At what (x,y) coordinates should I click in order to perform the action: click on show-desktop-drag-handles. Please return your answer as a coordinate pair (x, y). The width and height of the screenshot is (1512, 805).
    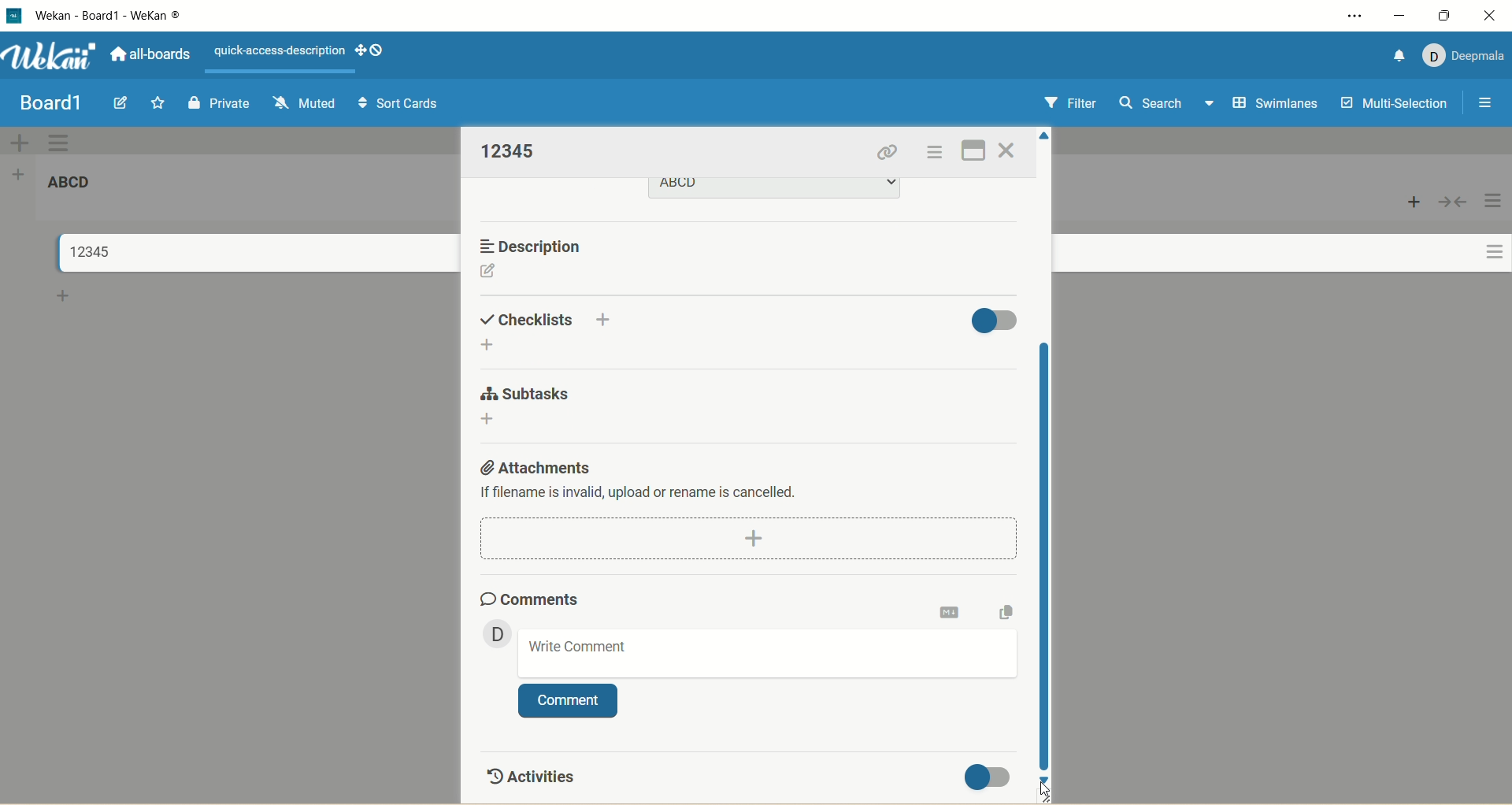
    Looking at the image, I should click on (380, 50).